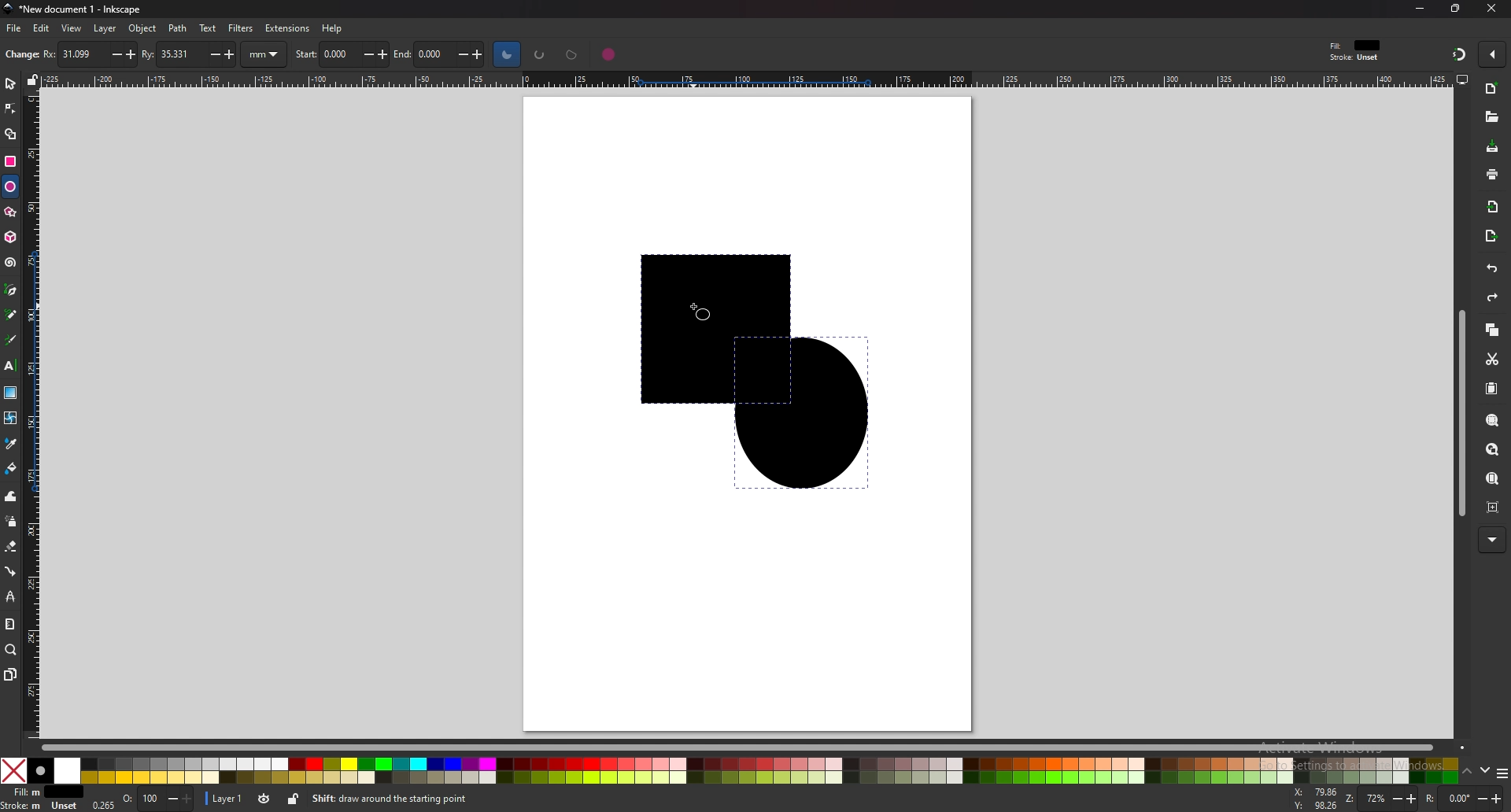 The image size is (1511, 812). I want to click on save, so click(1492, 147).